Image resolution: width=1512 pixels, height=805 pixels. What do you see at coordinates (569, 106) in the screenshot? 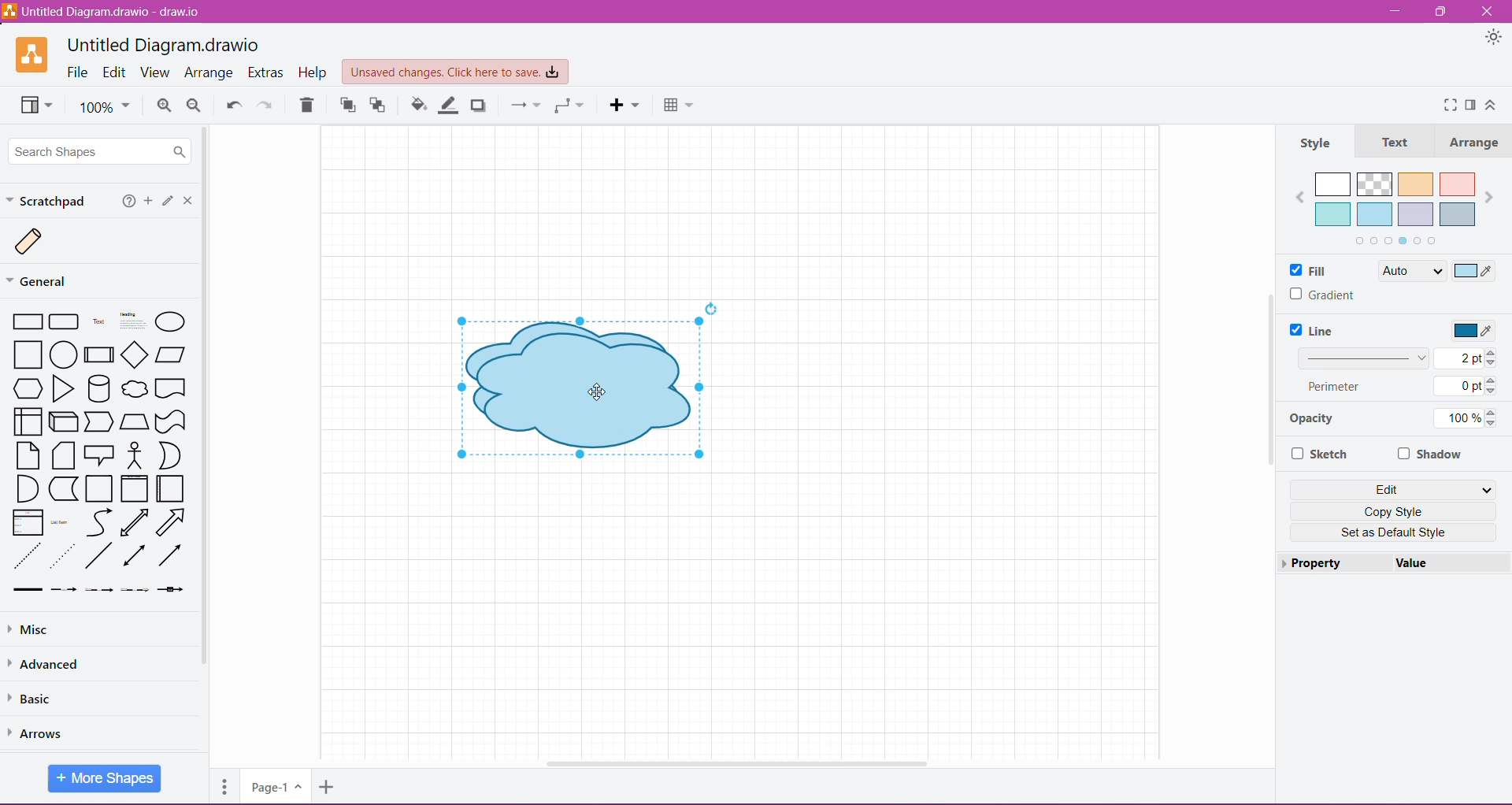
I see `Waypoint` at bounding box center [569, 106].